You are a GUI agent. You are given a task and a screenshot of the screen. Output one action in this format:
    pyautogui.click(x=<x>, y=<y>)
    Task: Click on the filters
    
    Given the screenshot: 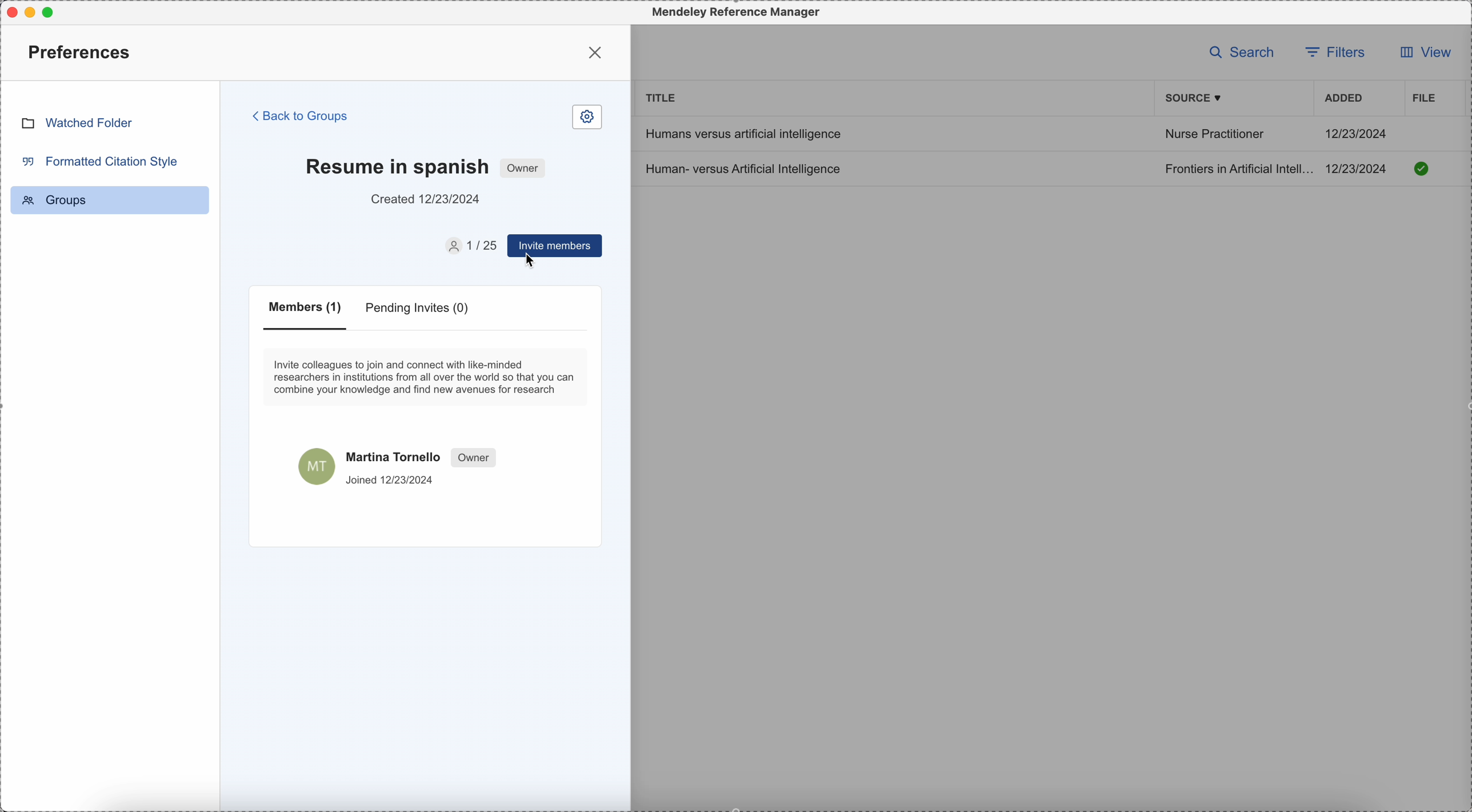 What is the action you would take?
    pyautogui.click(x=1338, y=51)
    